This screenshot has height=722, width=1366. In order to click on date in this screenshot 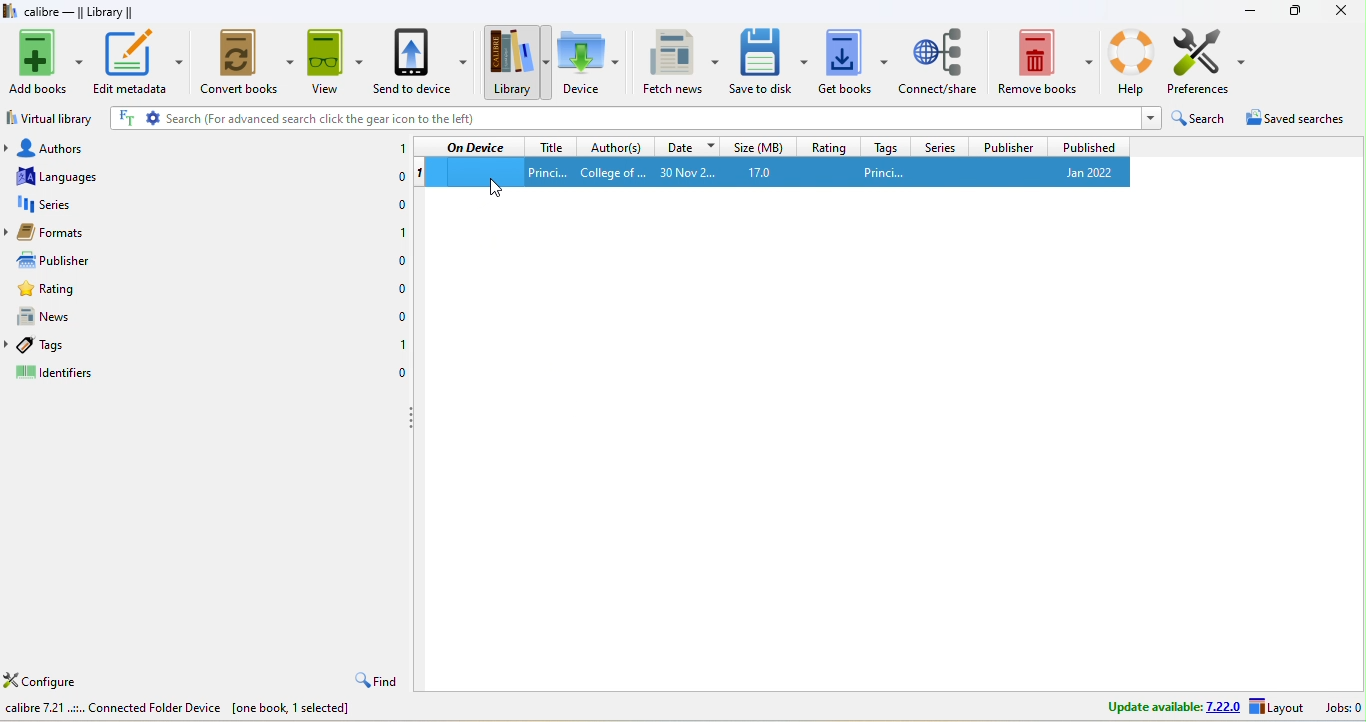, I will do `click(686, 145)`.